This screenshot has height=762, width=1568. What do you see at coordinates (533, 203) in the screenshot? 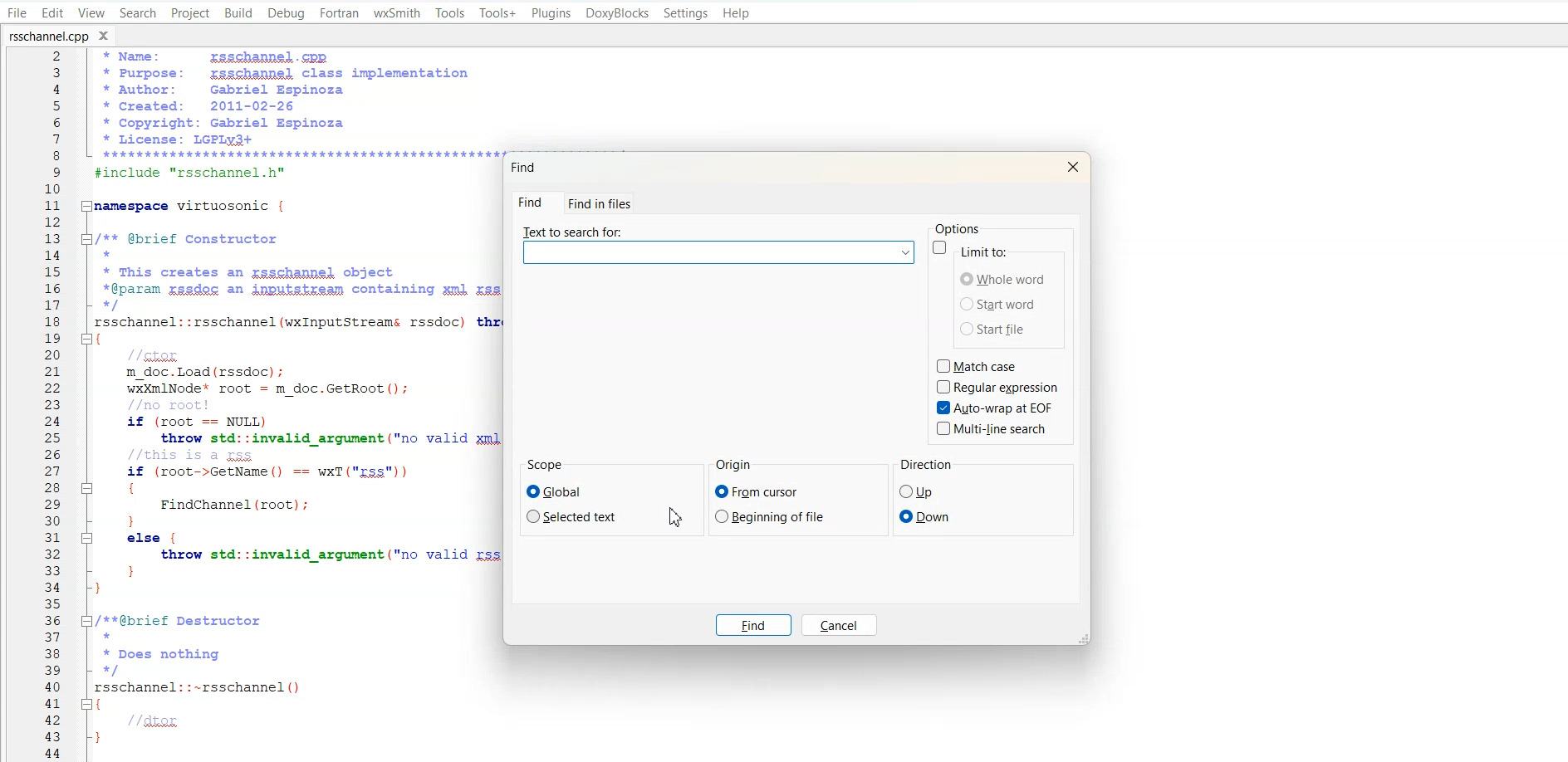
I see `Find` at bounding box center [533, 203].